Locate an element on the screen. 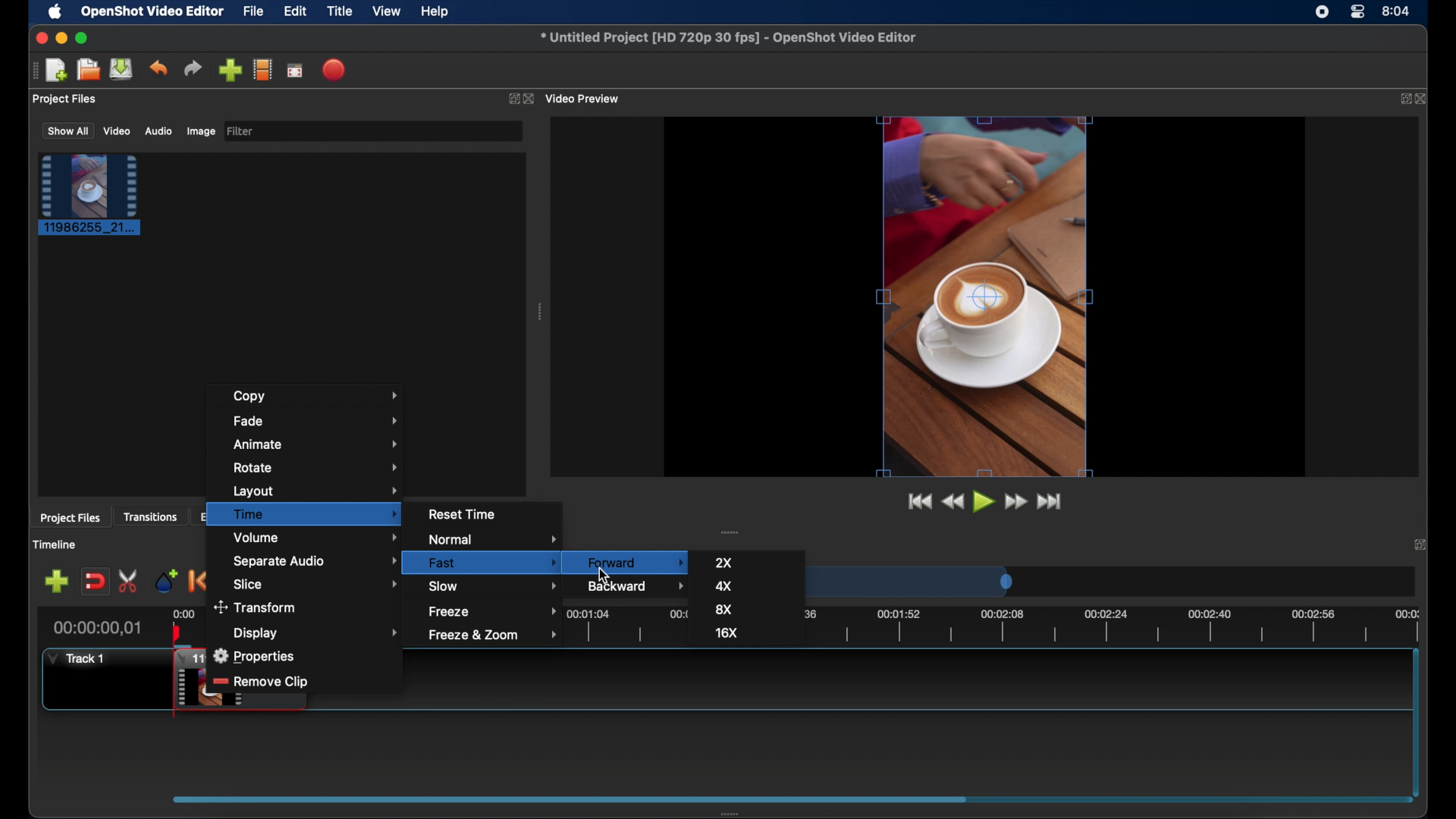 The height and width of the screenshot is (819, 1456). save project is located at coordinates (122, 69).